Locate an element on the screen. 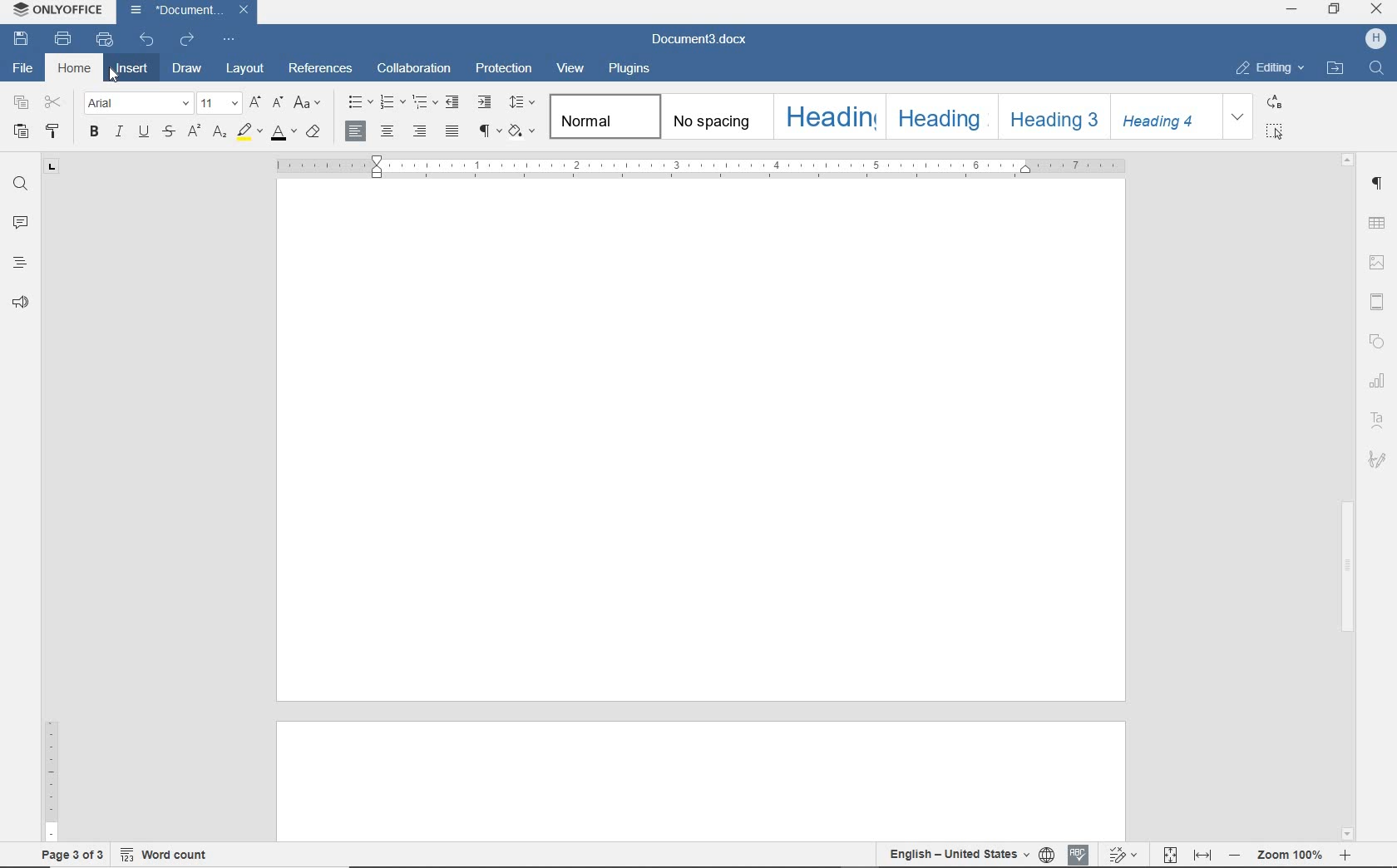  FONT SIZE is located at coordinates (218, 103).